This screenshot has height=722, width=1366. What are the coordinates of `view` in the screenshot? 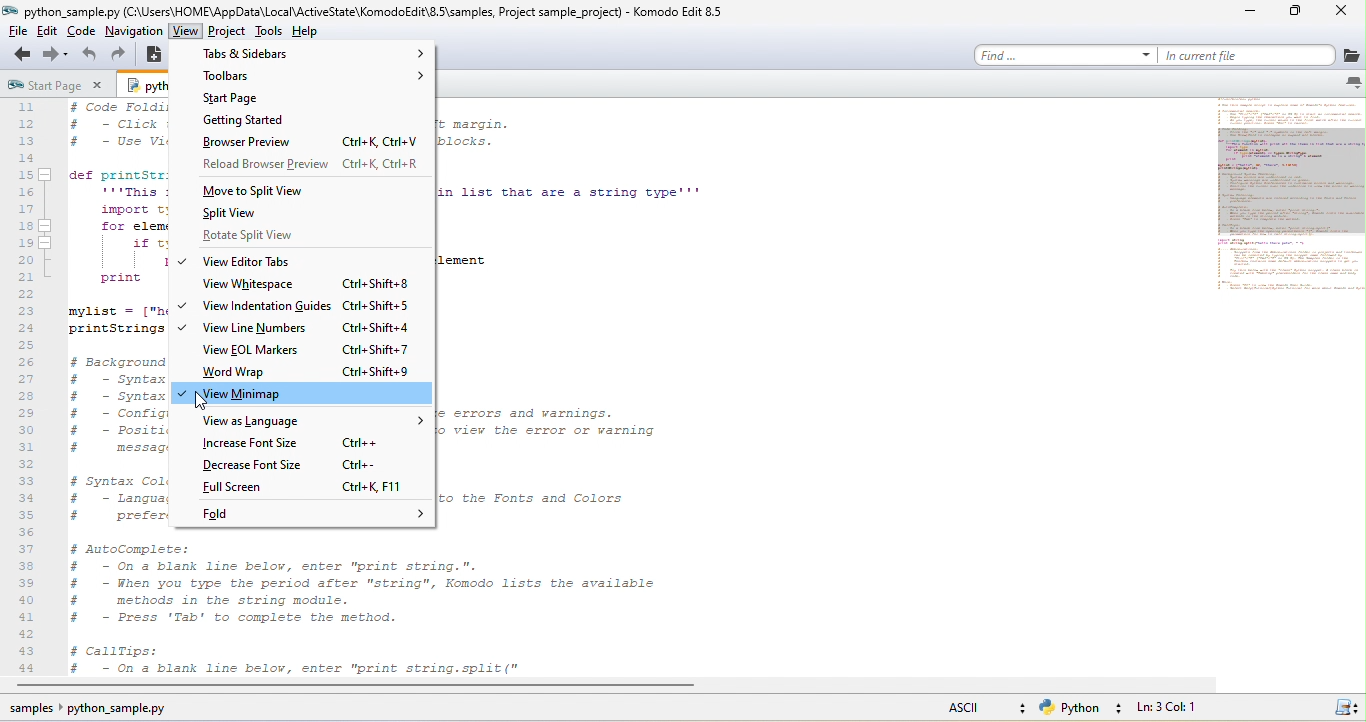 It's located at (187, 35).